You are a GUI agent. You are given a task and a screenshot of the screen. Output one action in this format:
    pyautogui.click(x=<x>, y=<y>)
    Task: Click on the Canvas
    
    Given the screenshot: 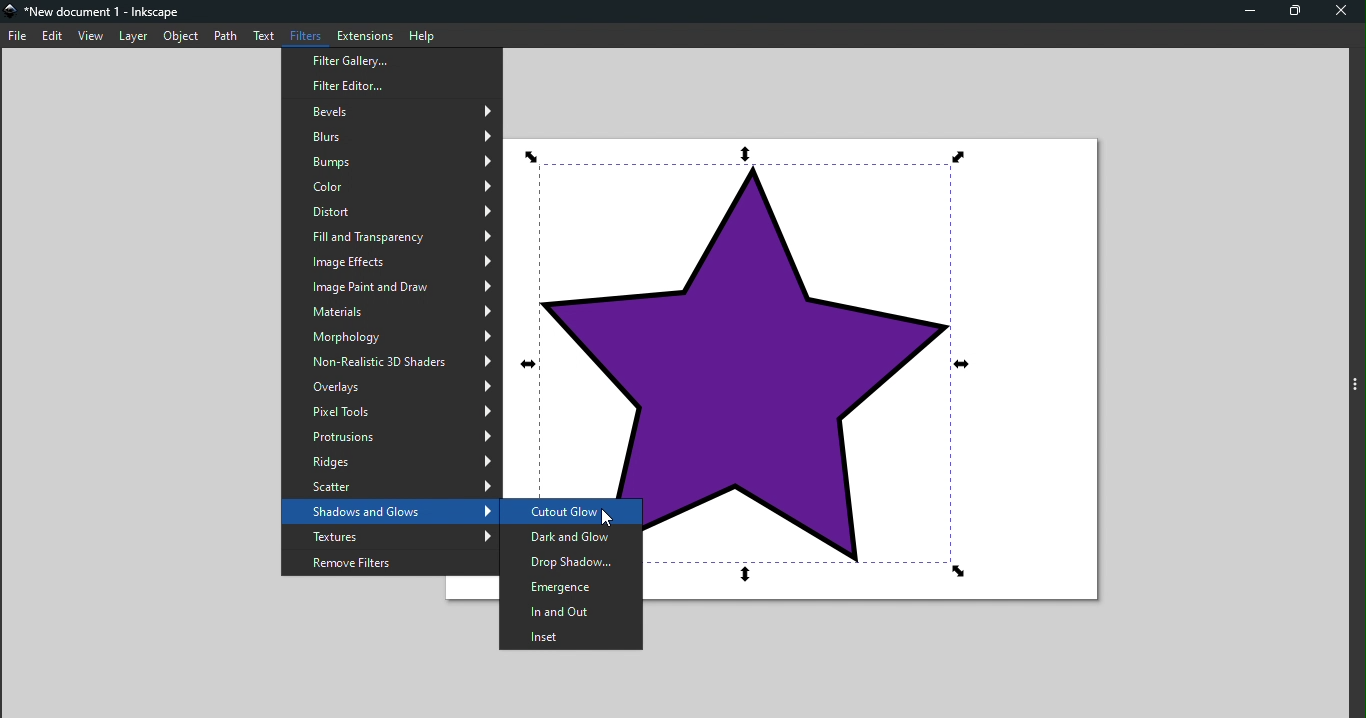 What is the action you would take?
    pyautogui.click(x=883, y=360)
    